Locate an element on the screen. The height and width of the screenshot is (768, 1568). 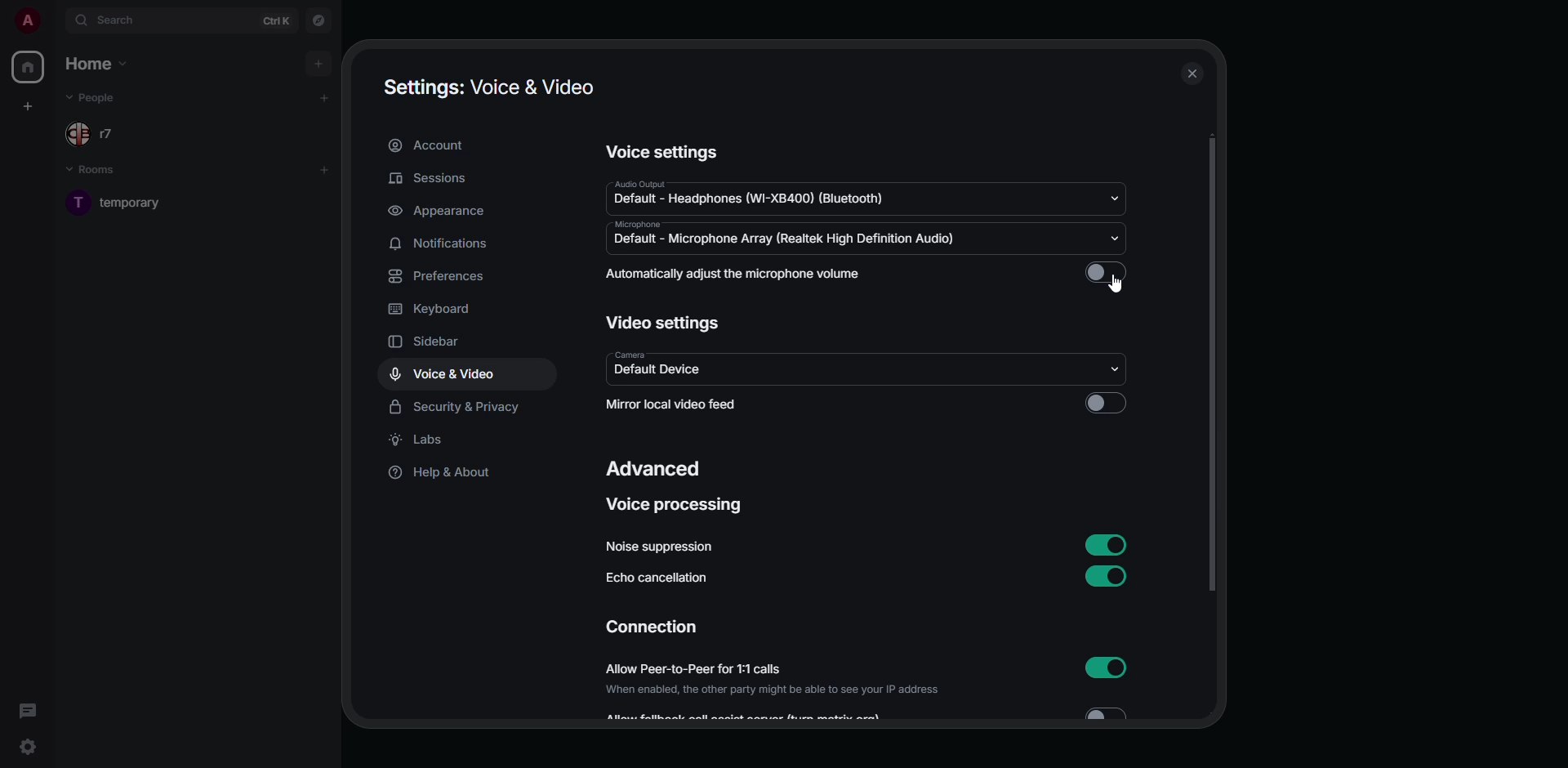
ctrl K is located at coordinates (276, 21).